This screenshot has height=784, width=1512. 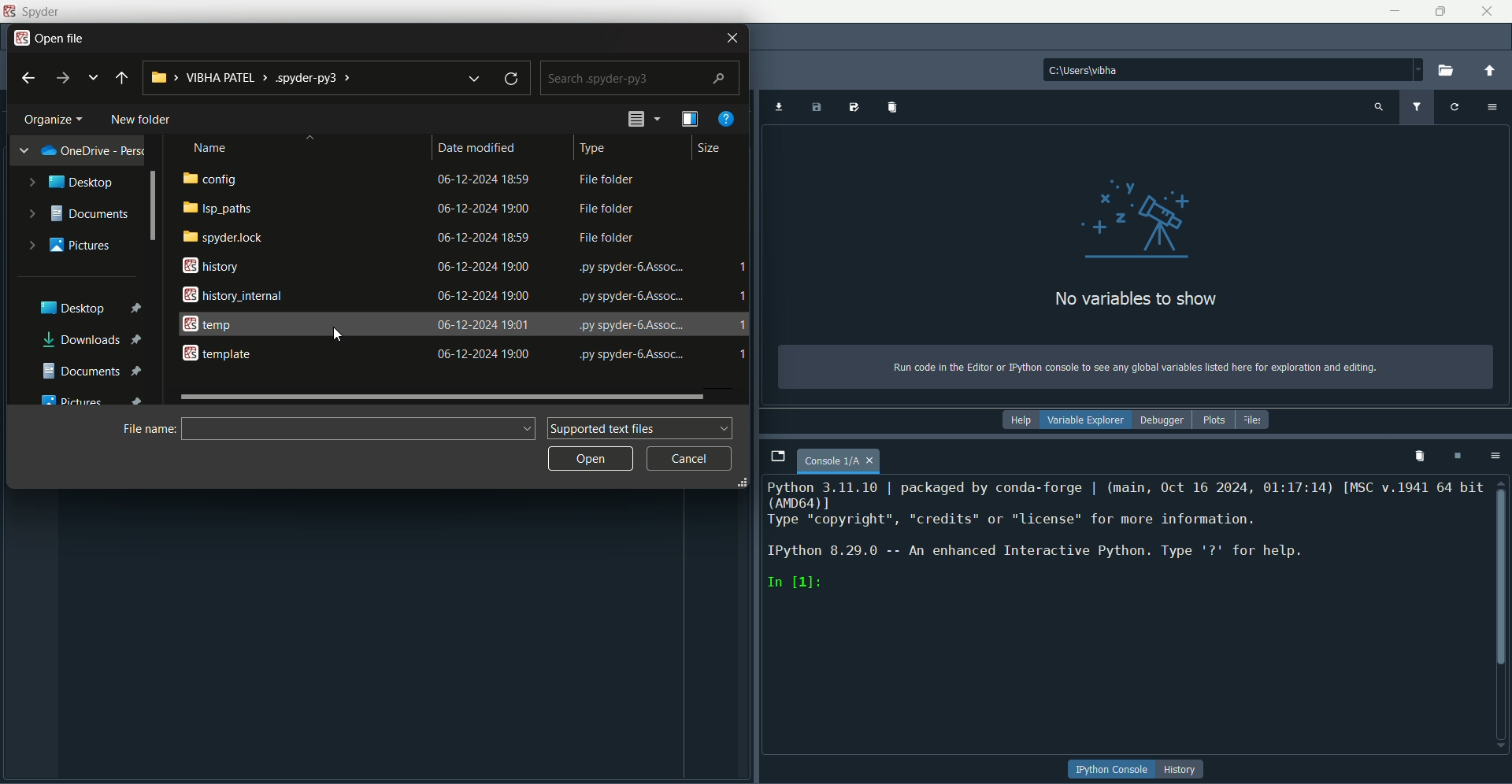 What do you see at coordinates (691, 459) in the screenshot?
I see `cancel` at bounding box center [691, 459].